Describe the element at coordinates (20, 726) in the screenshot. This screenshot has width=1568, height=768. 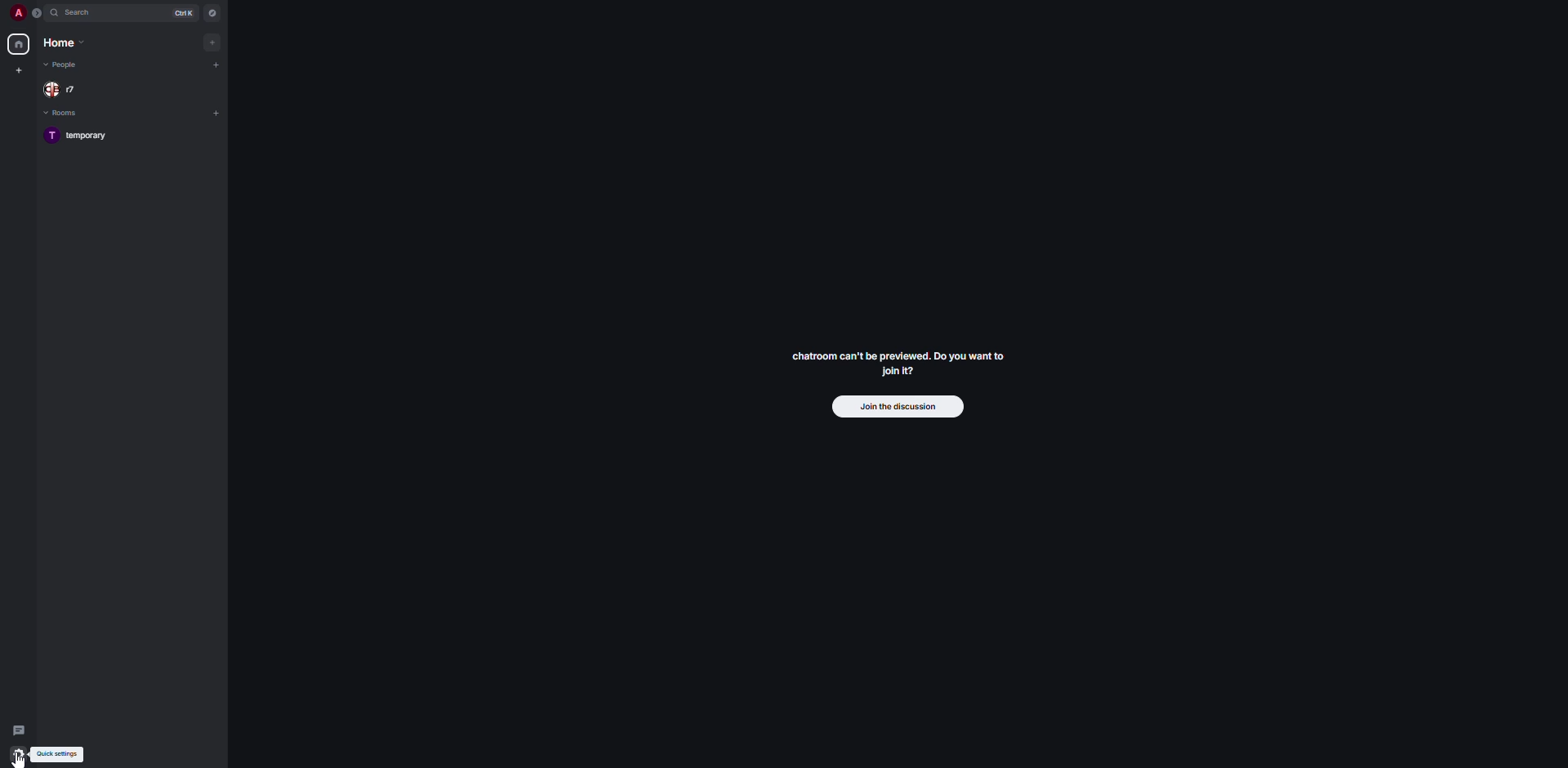
I see `threads` at that location.